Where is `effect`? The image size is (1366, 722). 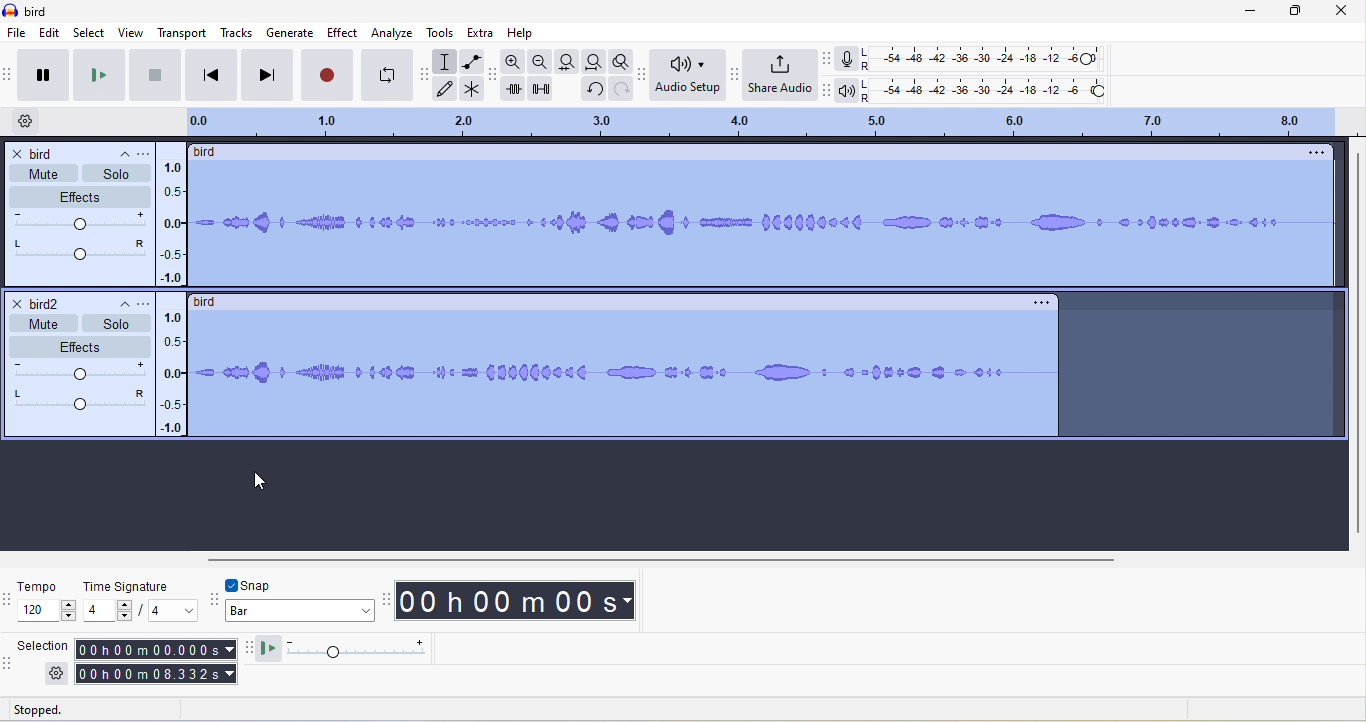
effect is located at coordinates (340, 32).